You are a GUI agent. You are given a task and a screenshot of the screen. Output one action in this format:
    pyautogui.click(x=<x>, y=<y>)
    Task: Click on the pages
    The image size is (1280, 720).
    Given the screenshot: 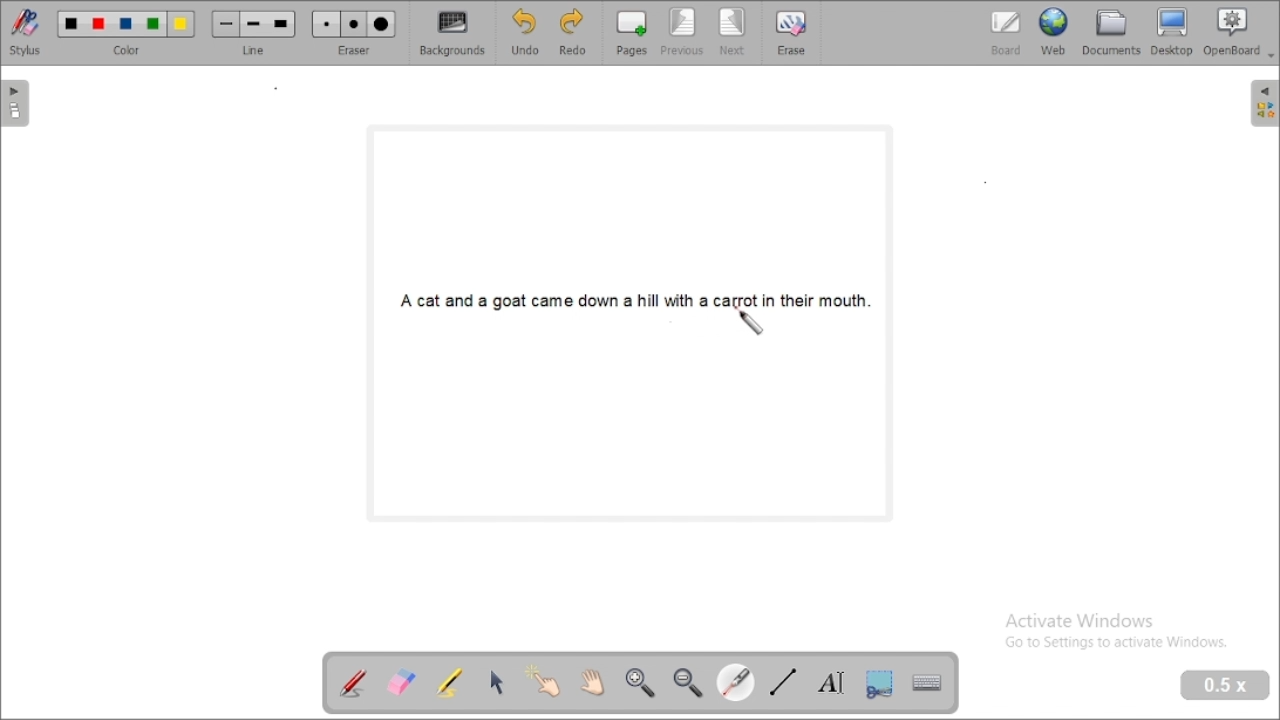 What is the action you would take?
    pyautogui.click(x=631, y=33)
    